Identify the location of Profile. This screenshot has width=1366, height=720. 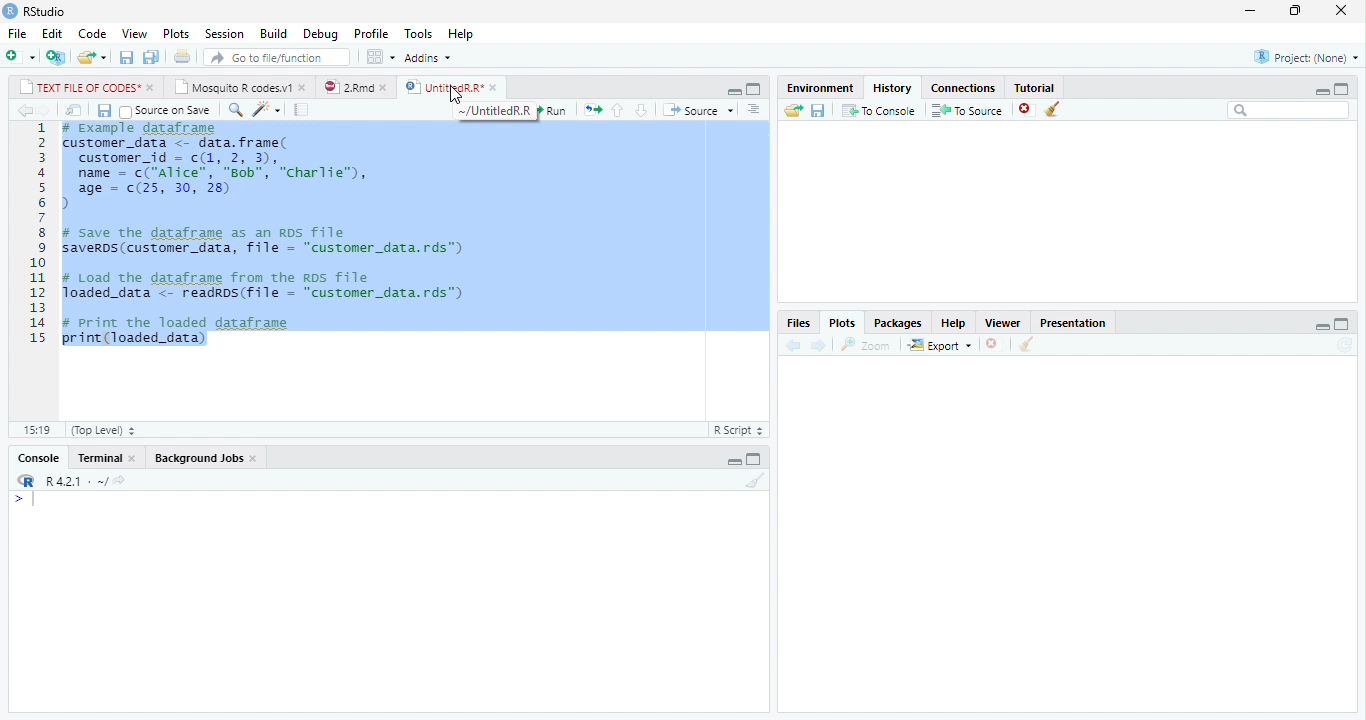
(371, 33).